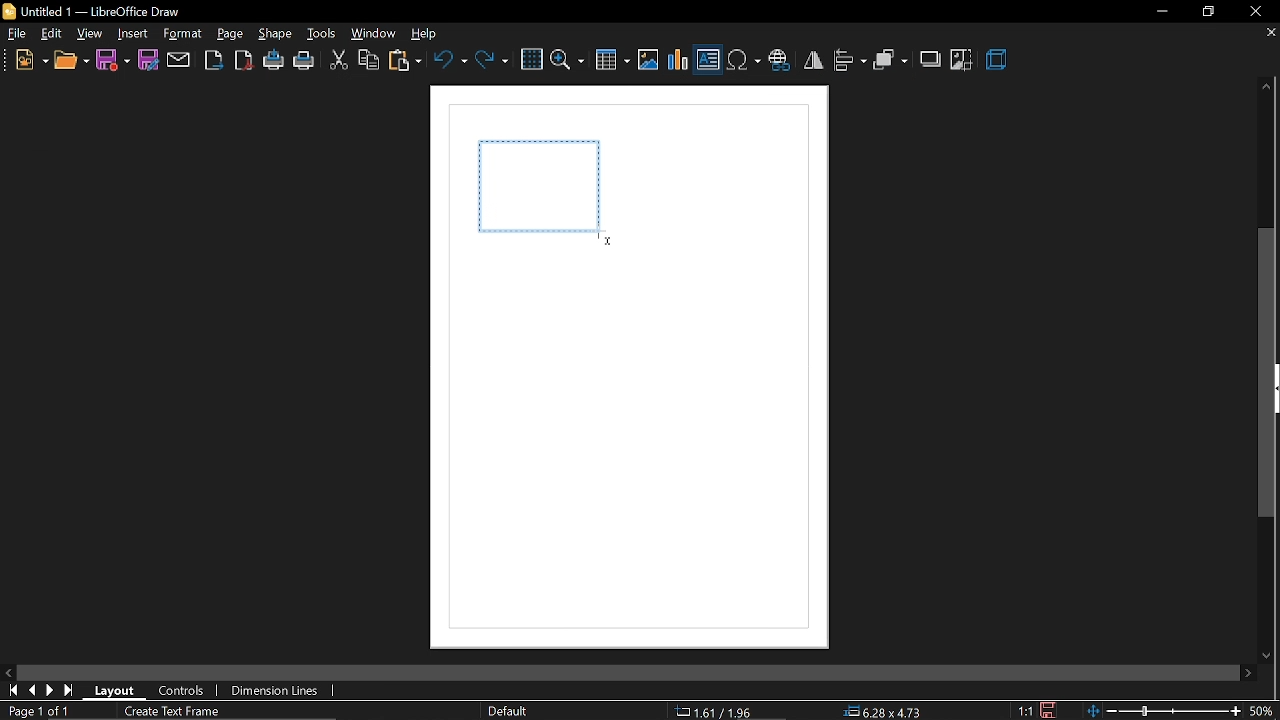 The height and width of the screenshot is (720, 1280). I want to click on undo, so click(450, 59).